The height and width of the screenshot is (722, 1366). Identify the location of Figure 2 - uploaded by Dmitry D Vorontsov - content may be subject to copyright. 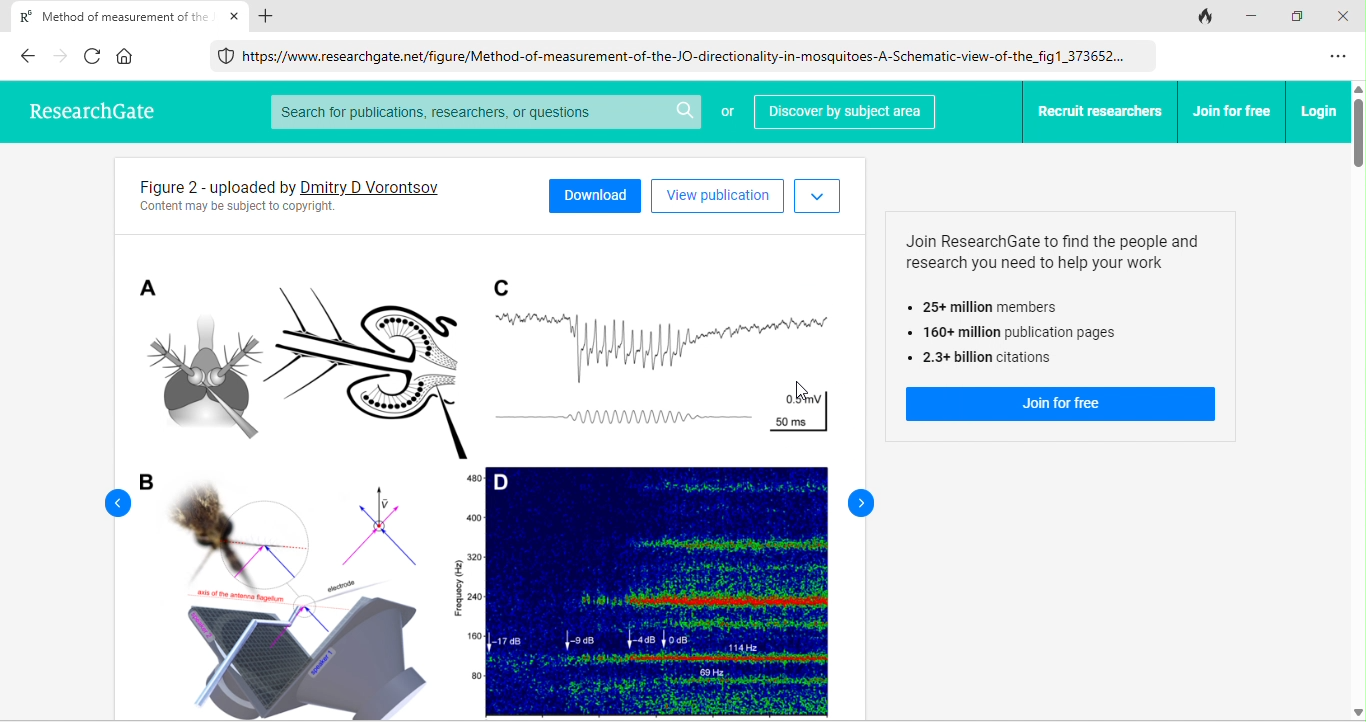
(318, 195).